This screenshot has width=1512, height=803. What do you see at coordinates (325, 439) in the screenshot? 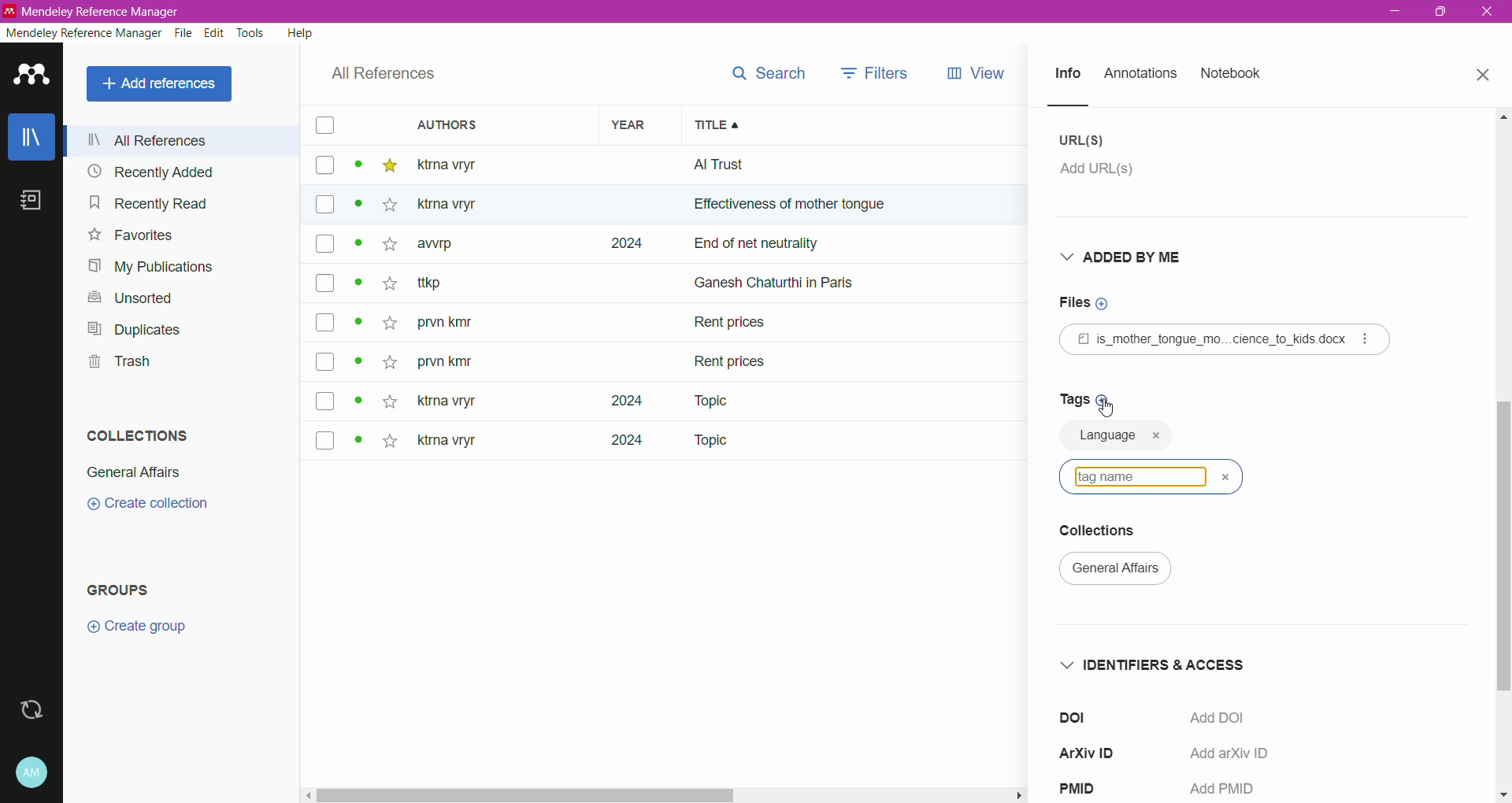
I see `box` at bounding box center [325, 439].